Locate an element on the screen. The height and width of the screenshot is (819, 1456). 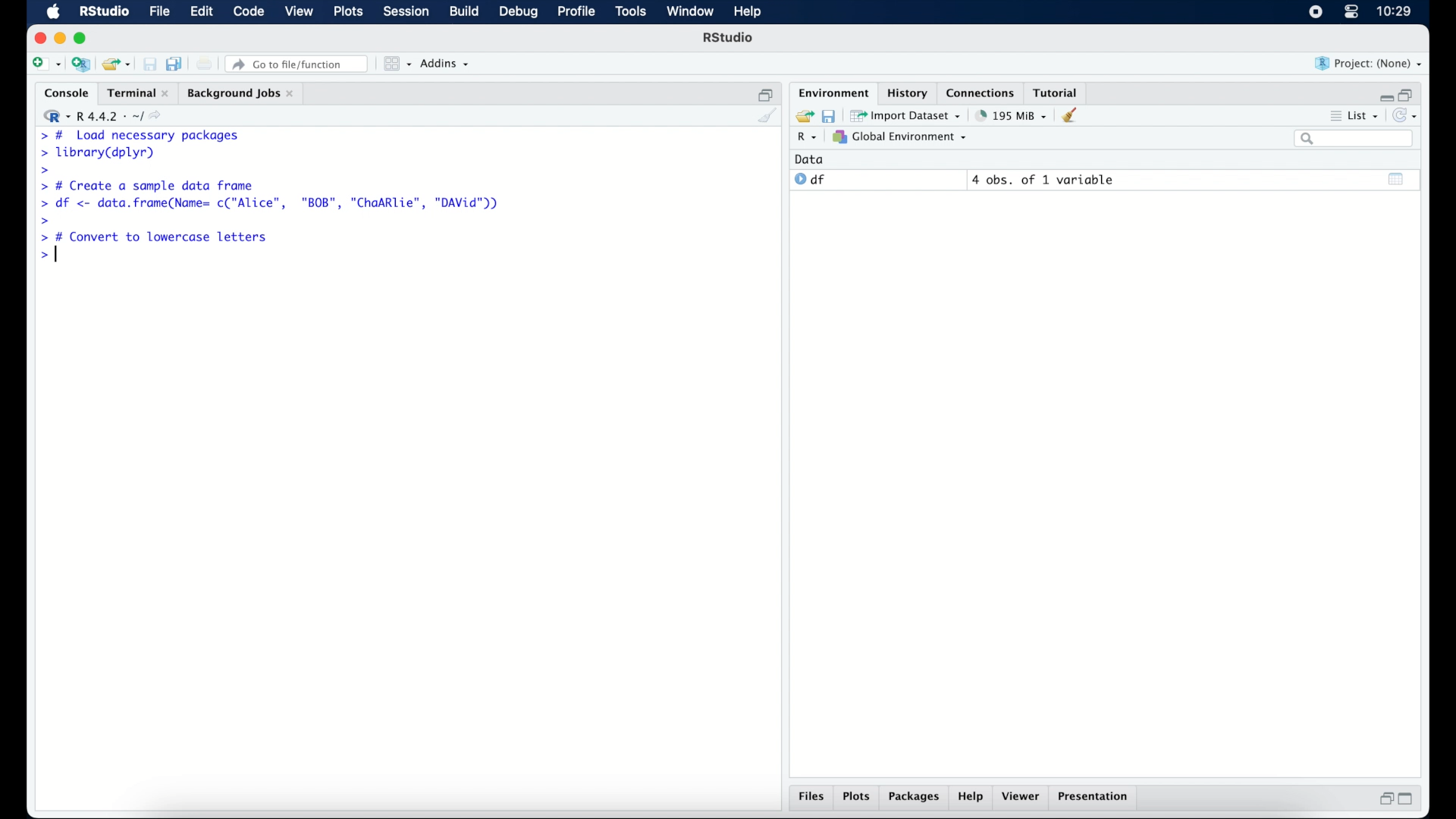
profile is located at coordinates (576, 12).